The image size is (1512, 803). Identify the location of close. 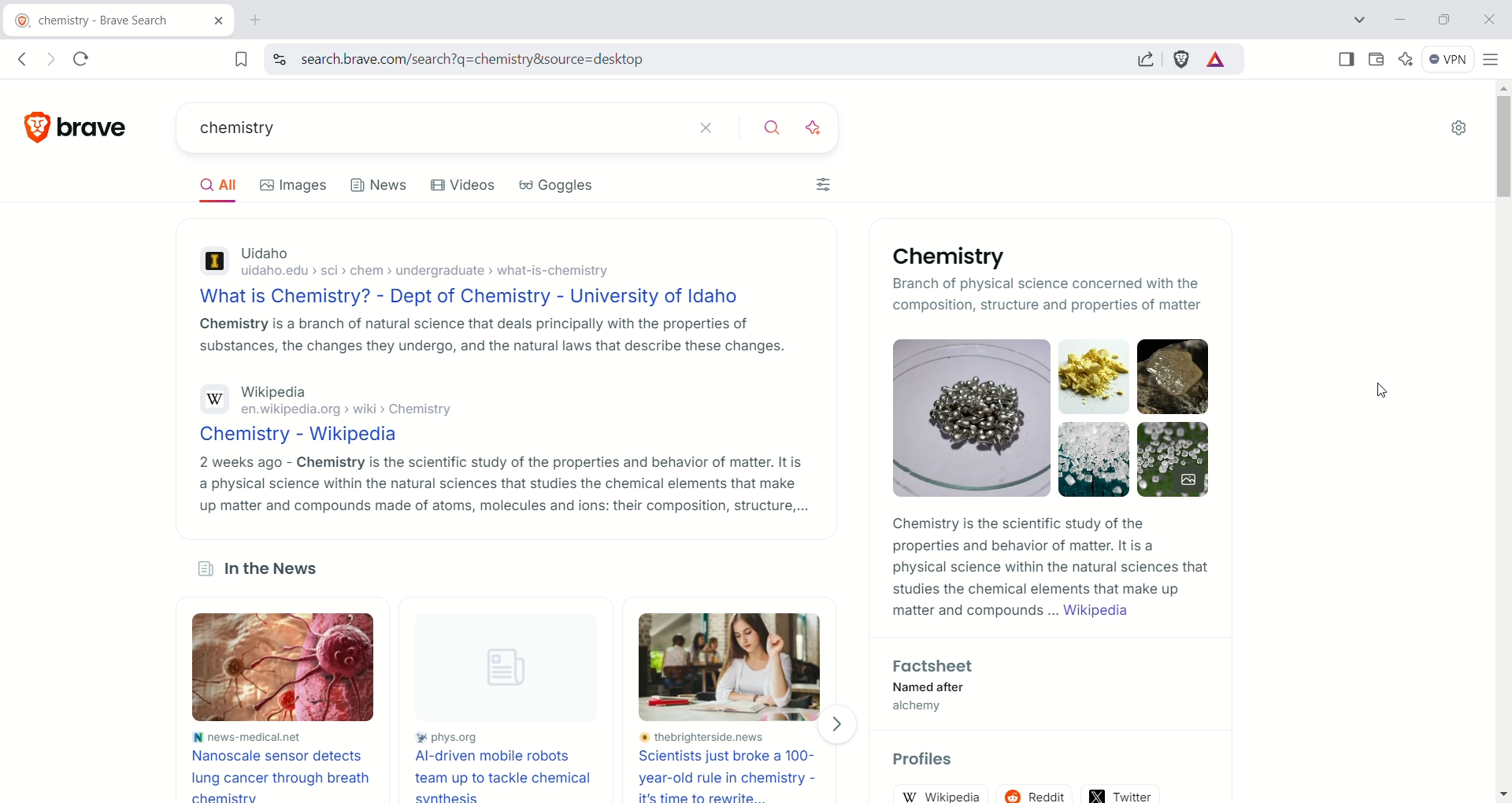
(211, 24).